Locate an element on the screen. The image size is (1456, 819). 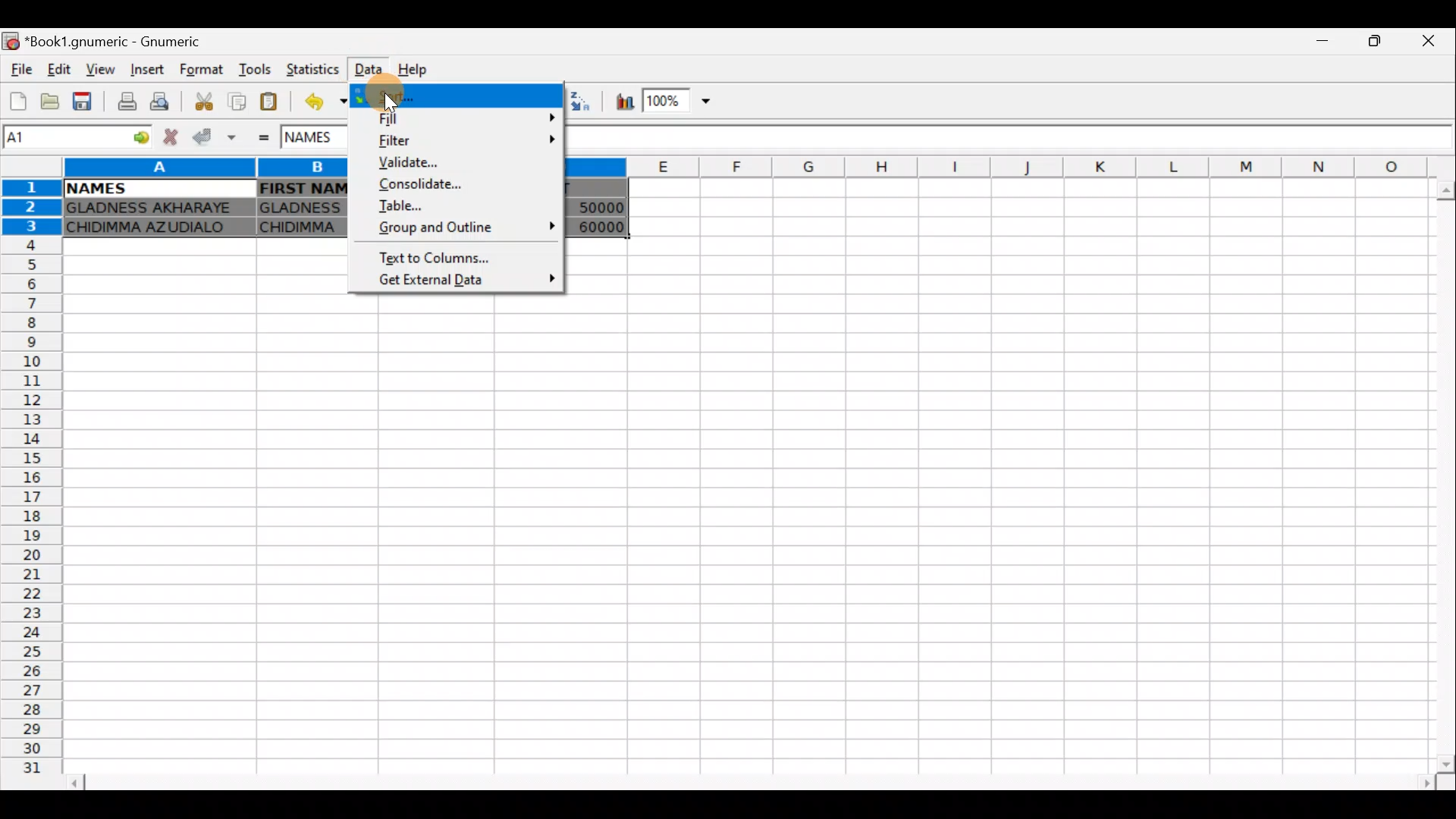
CHIDIMMA AZUDIALO is located at coordinates (153, 229).